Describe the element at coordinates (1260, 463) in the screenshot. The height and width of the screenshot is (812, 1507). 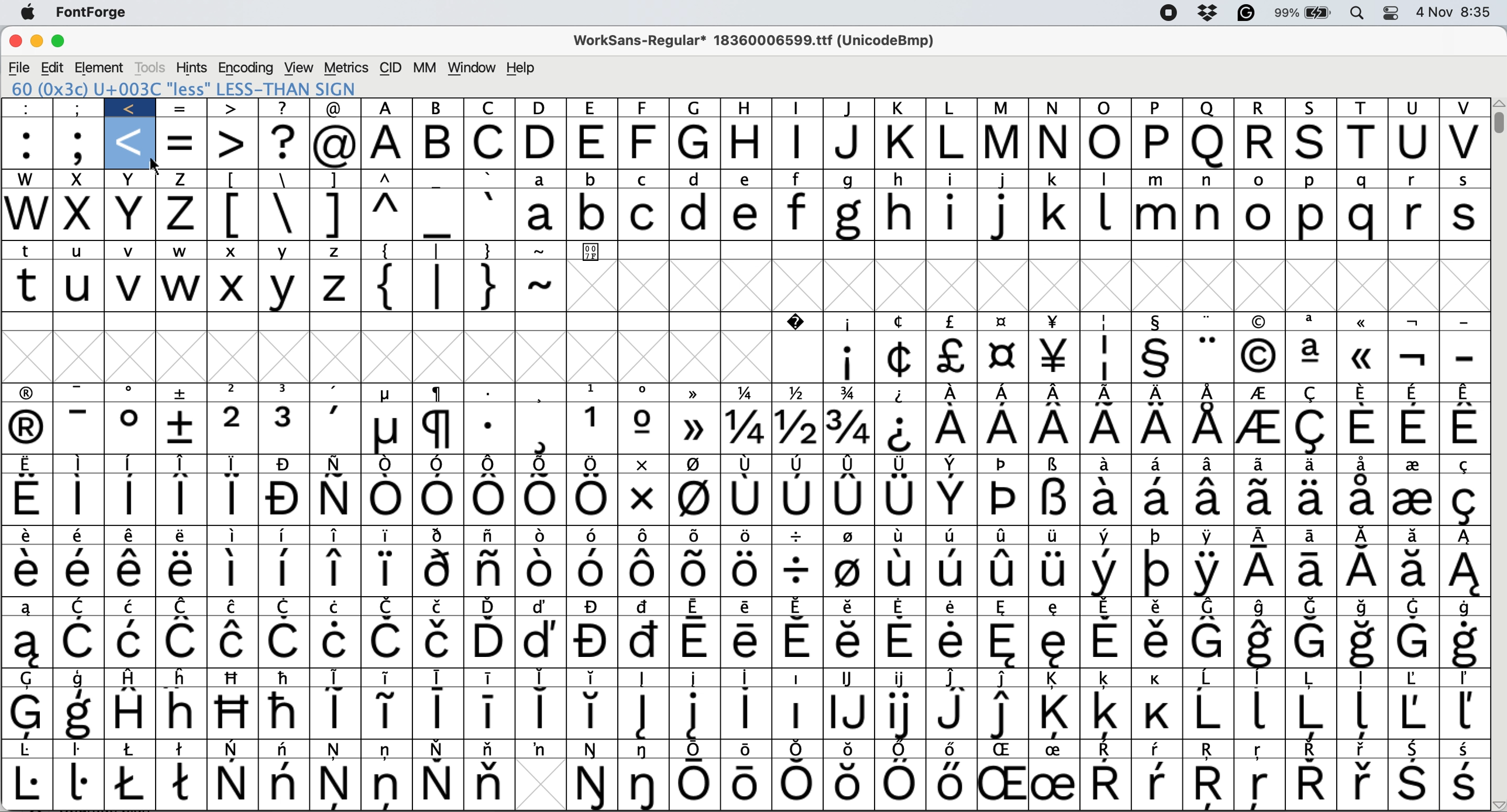
I see `Symbol` at that location.